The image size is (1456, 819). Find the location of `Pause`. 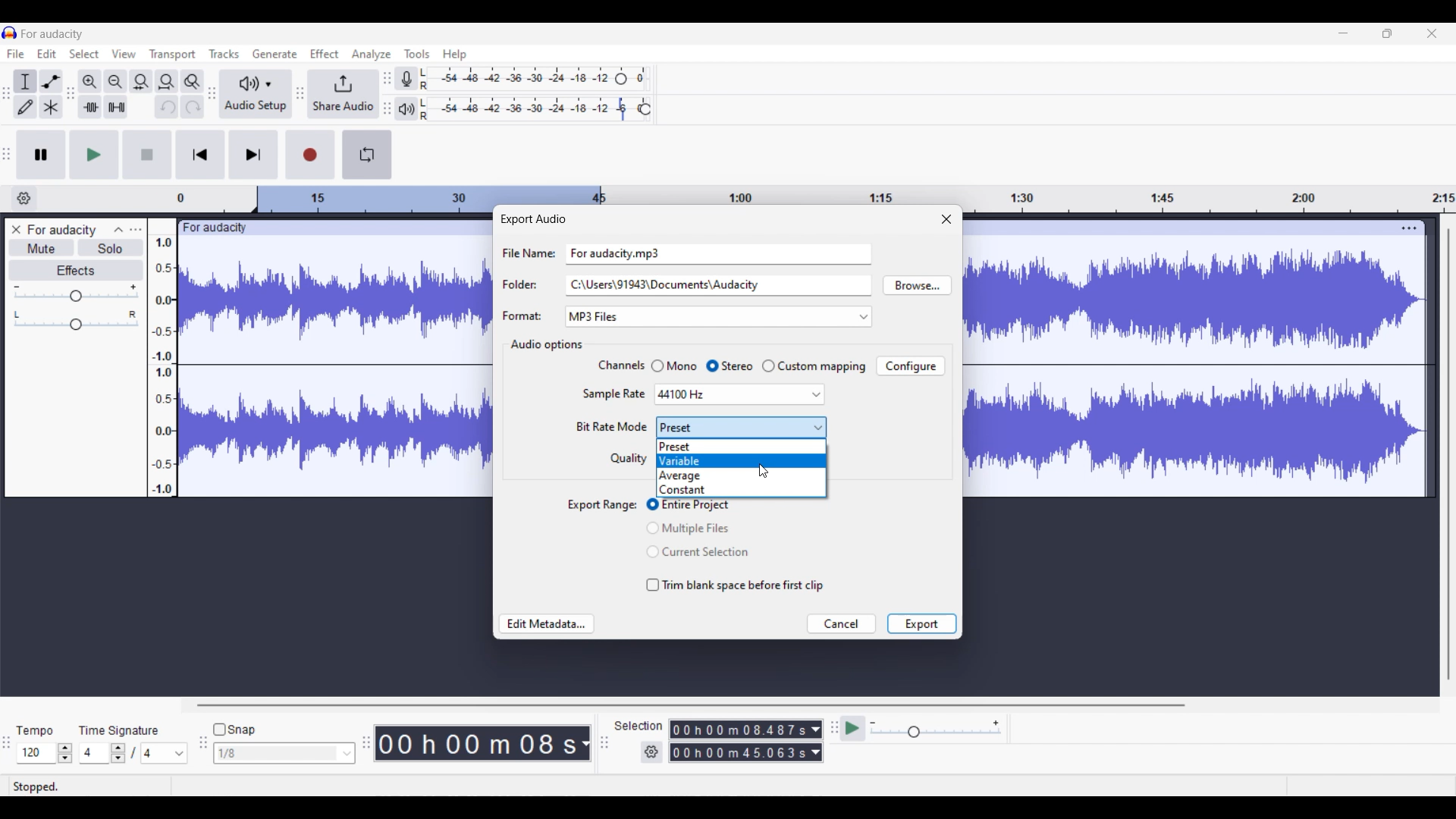

Pause is located at coordinates (41, 155).